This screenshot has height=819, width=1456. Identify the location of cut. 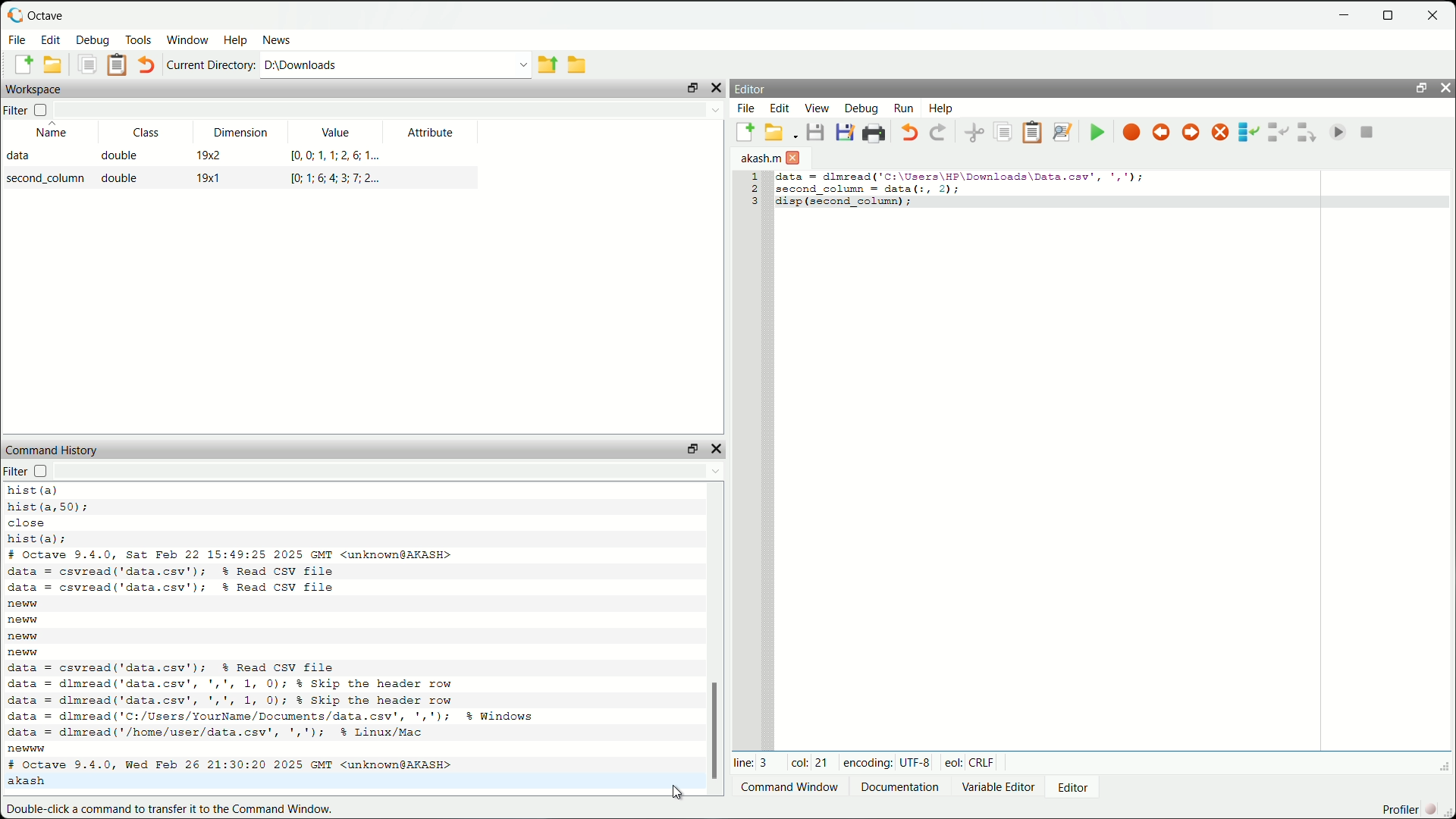
(977, 134).